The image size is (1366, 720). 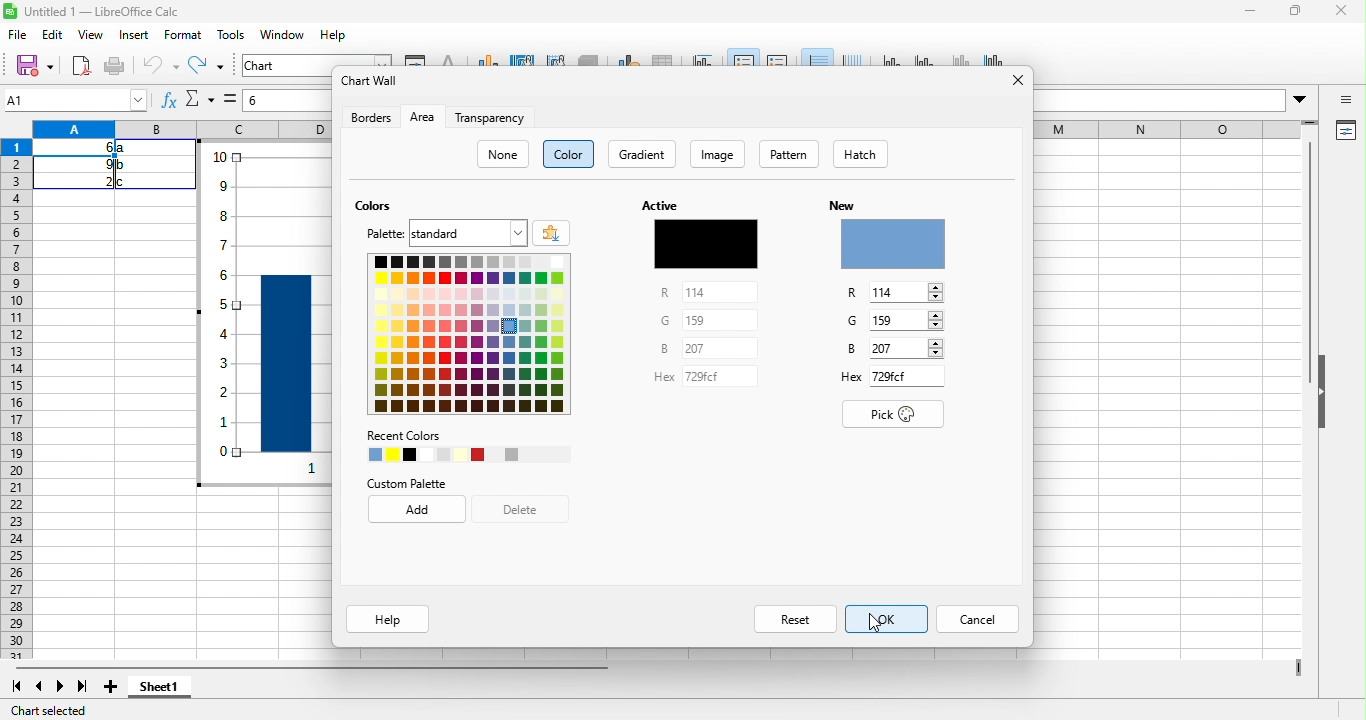 What do you see at coordinates (205, 65) in the screenshot?
I see `redo` at bounding box center [205, 65].